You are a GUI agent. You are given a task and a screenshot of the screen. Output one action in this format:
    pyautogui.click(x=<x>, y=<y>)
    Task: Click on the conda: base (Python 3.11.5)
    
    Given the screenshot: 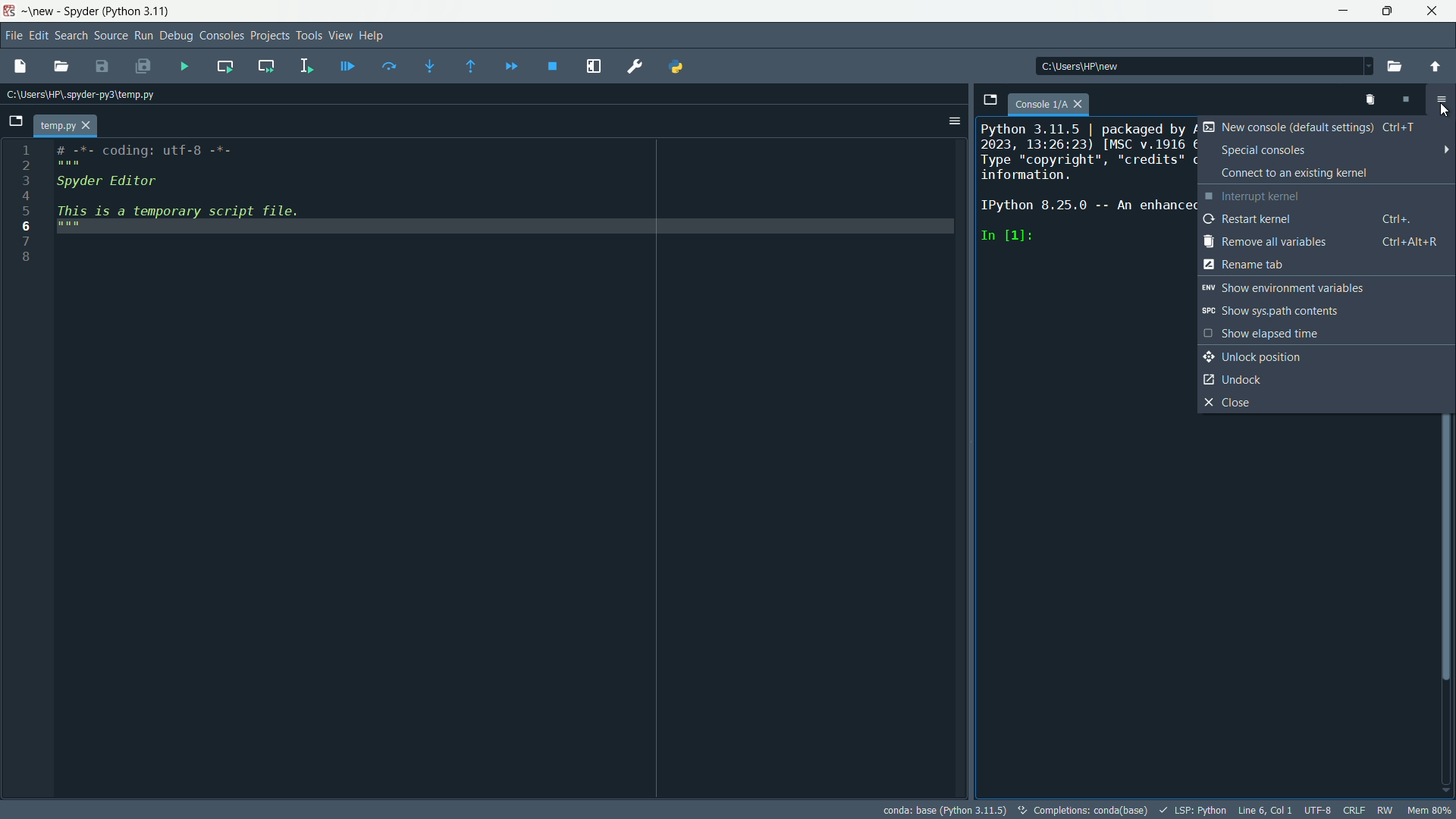 What is the action you would take?
    pyautogui.click(x=944, y=810)
    